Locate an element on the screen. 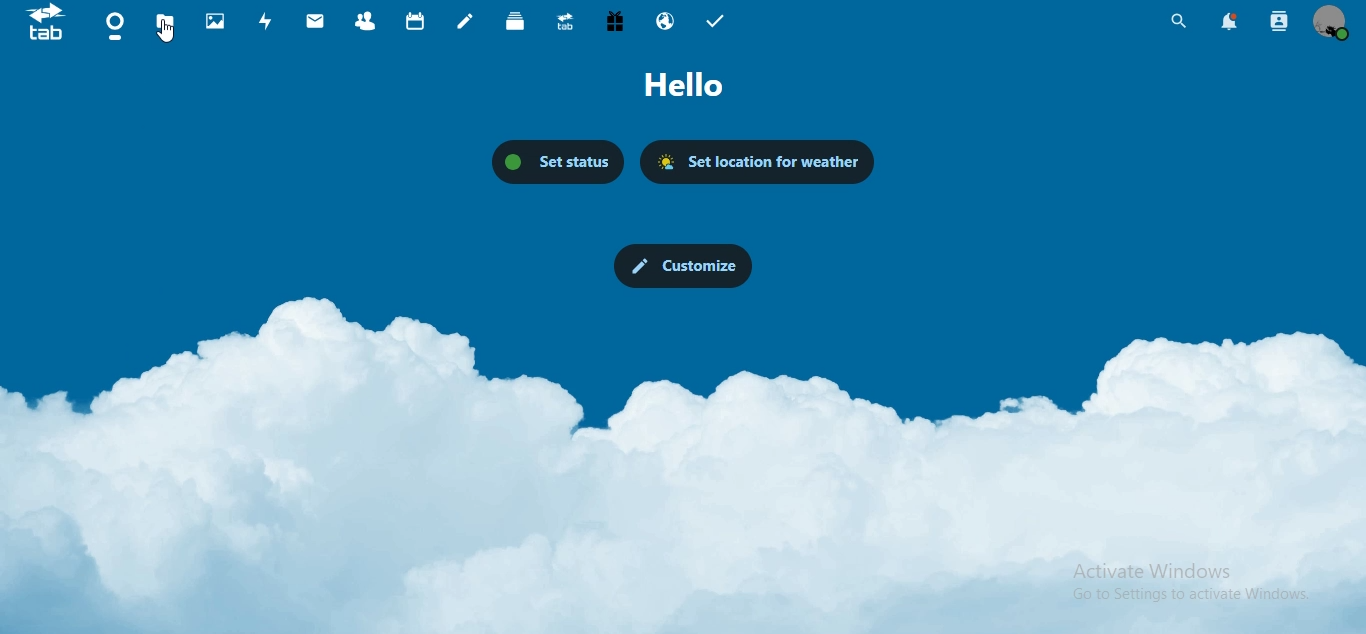 This screenshot has width=1366, height=634. contacts is located at coordinates (362, 22).